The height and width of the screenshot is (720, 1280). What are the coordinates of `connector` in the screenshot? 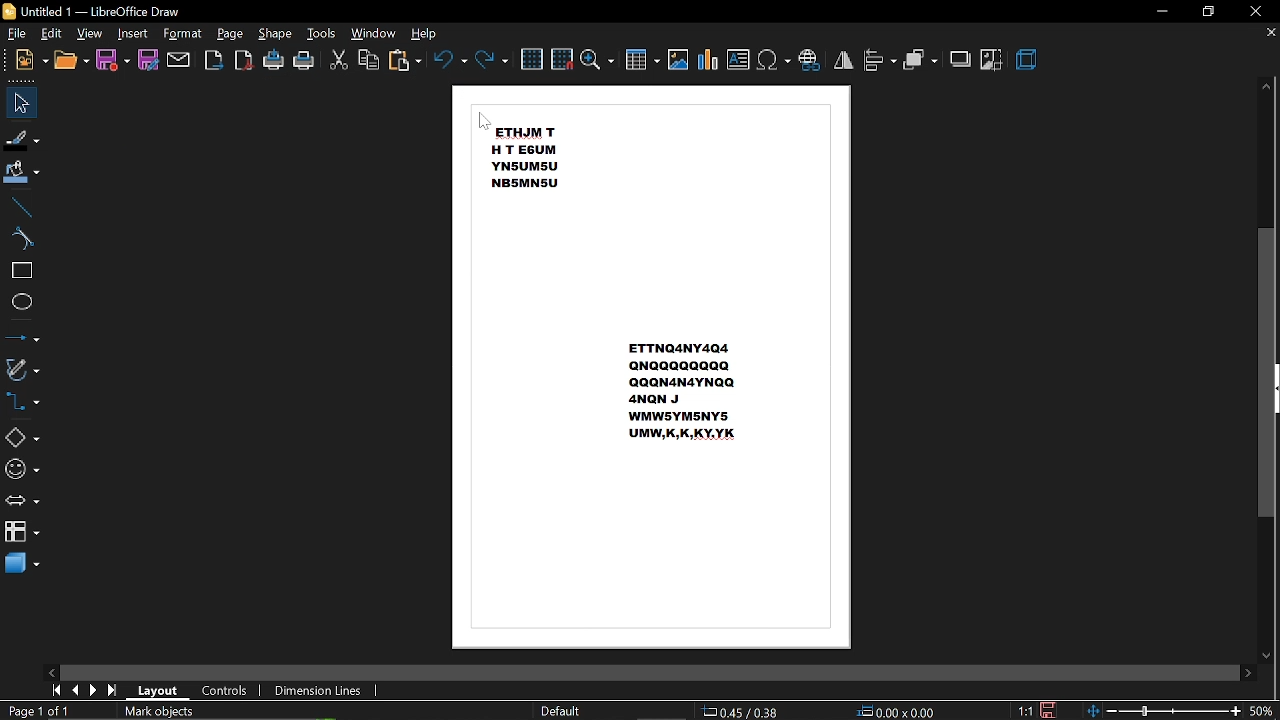 It's located at (26, 404).